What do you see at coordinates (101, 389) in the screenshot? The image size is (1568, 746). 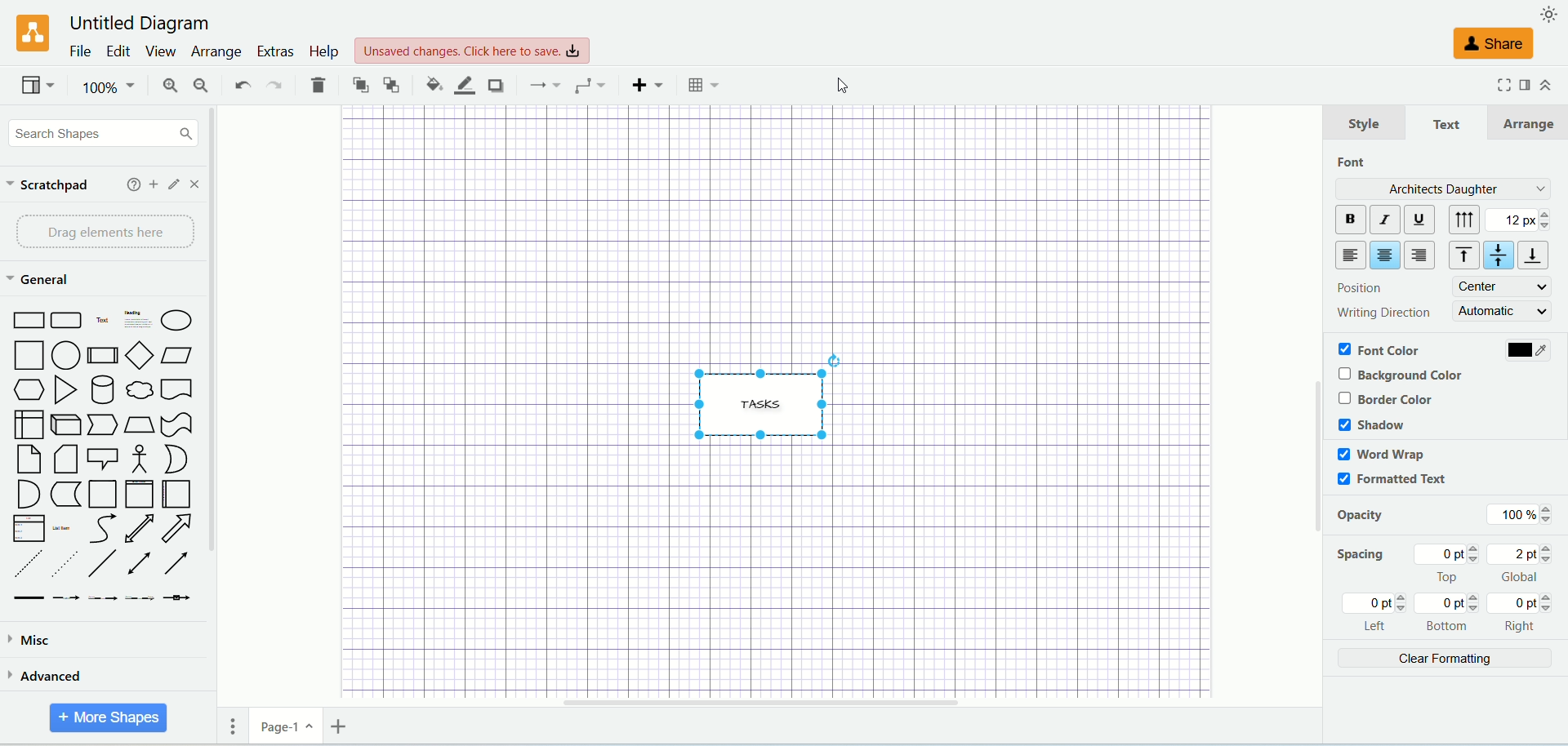 I see `Cylinder` at bounding box center [101, 389].